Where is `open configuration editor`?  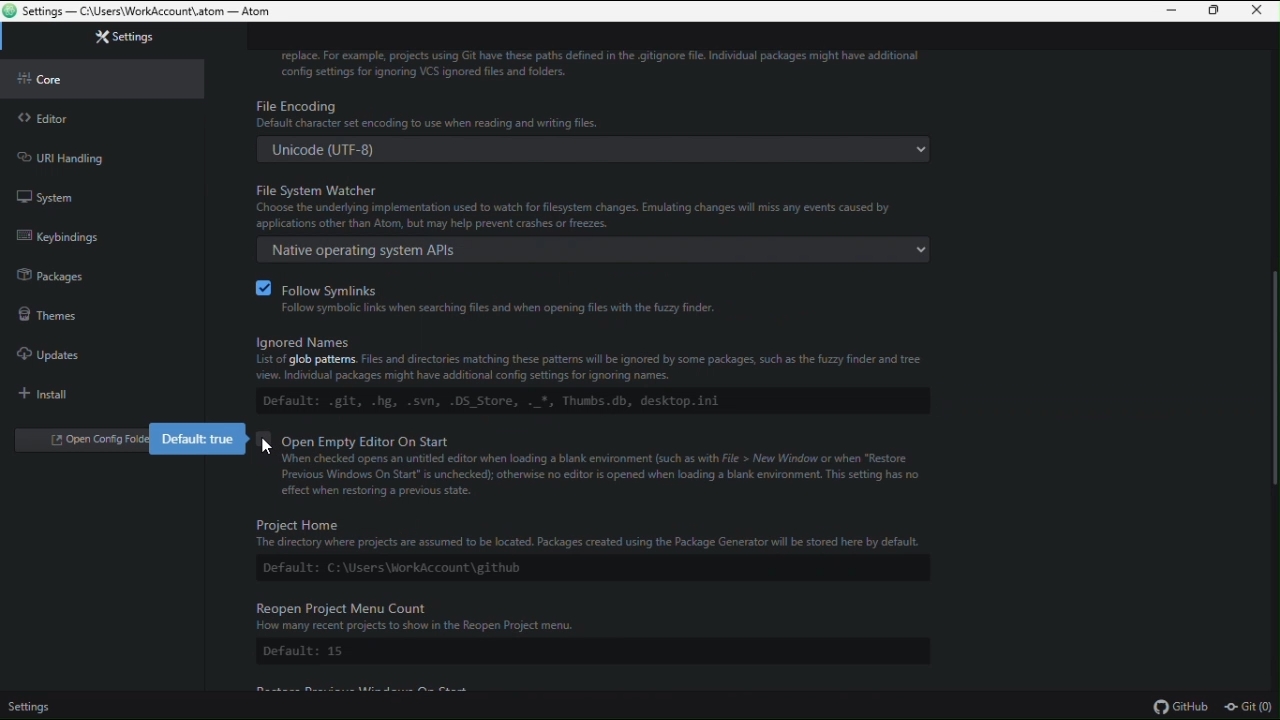 open configuration editor is located at coordinates (78, 441).